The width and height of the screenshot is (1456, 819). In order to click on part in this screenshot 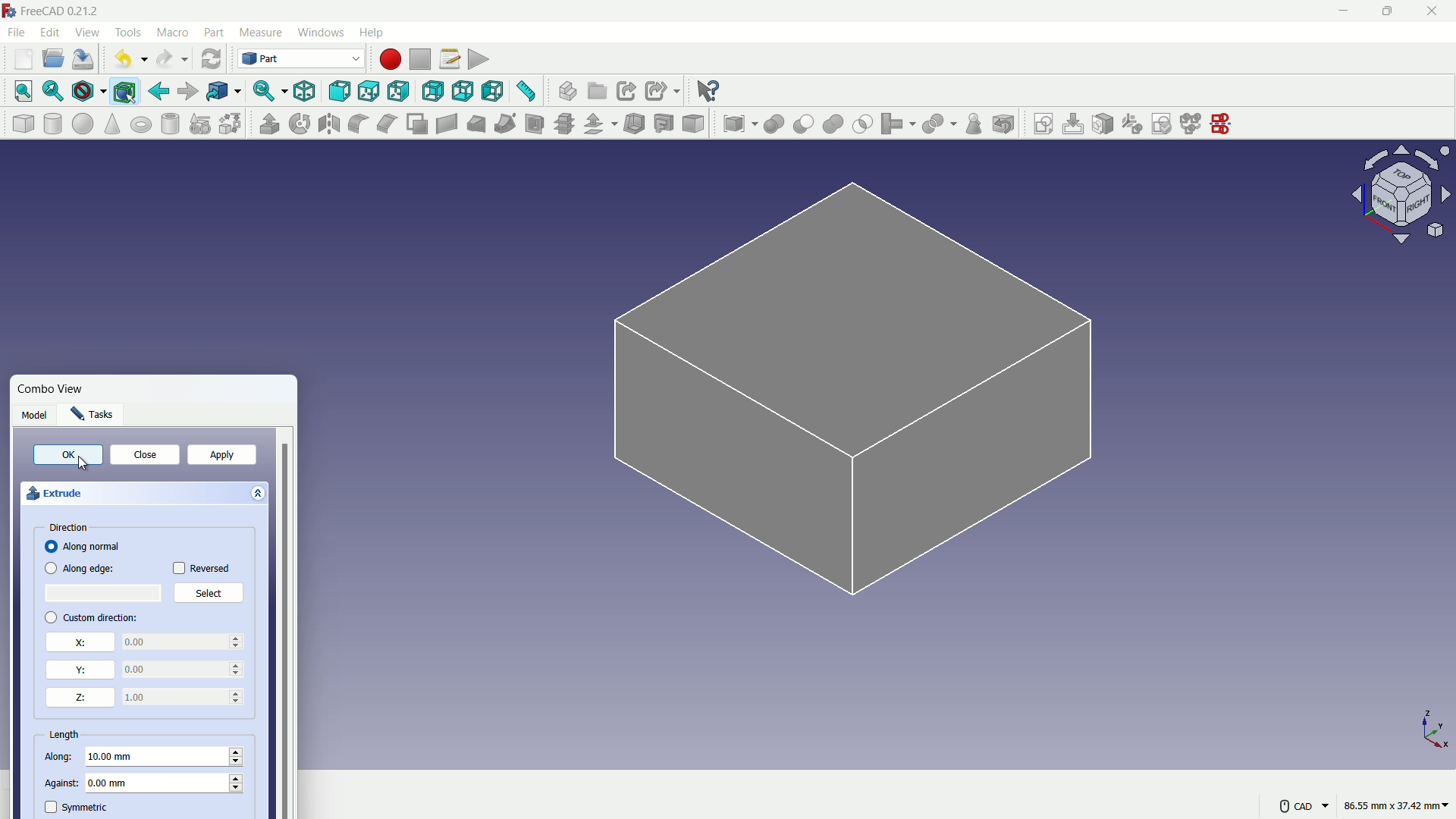, I will do `click(214, 32)`.